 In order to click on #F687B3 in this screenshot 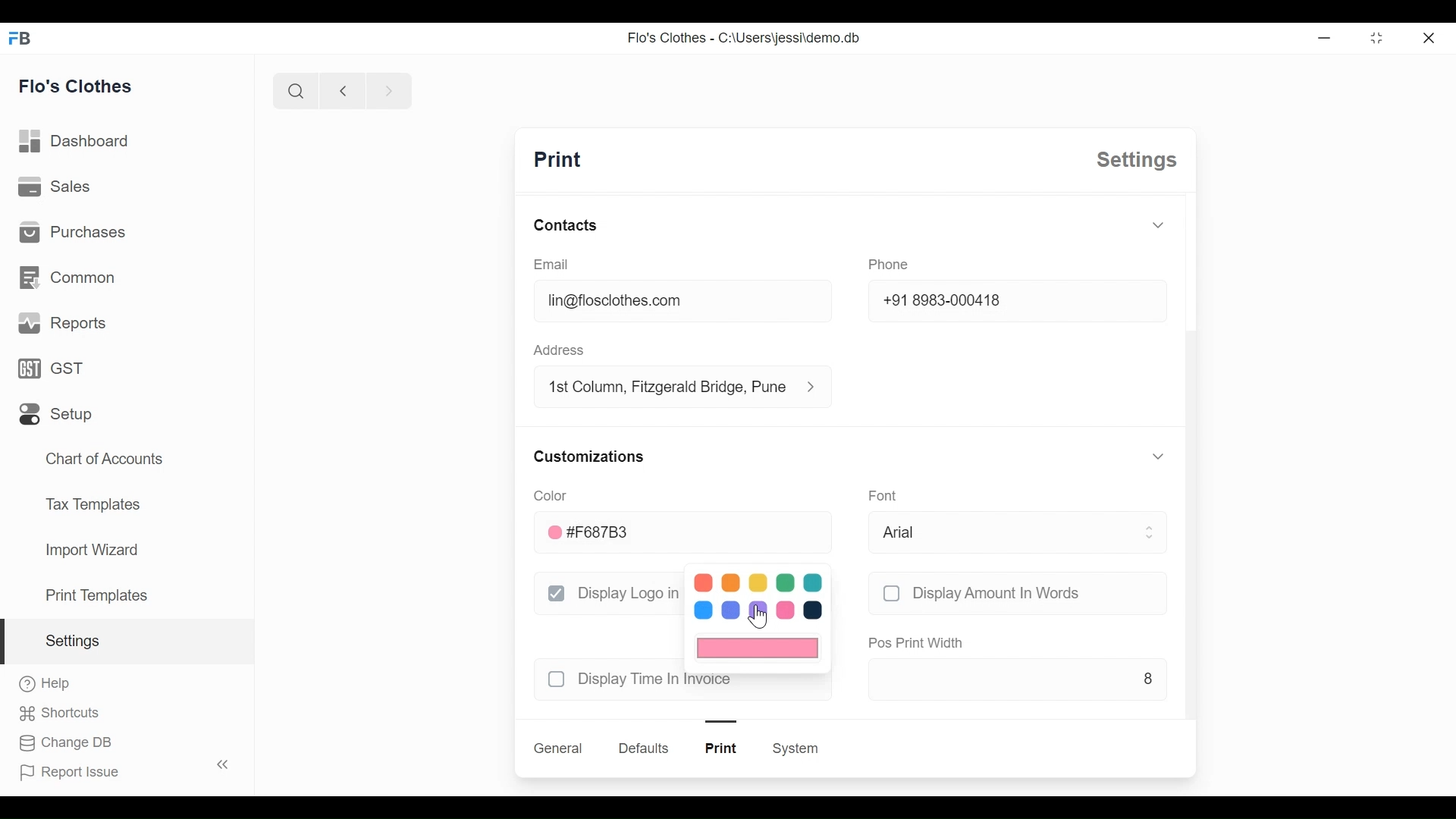, I will do `click(686, 534)`.